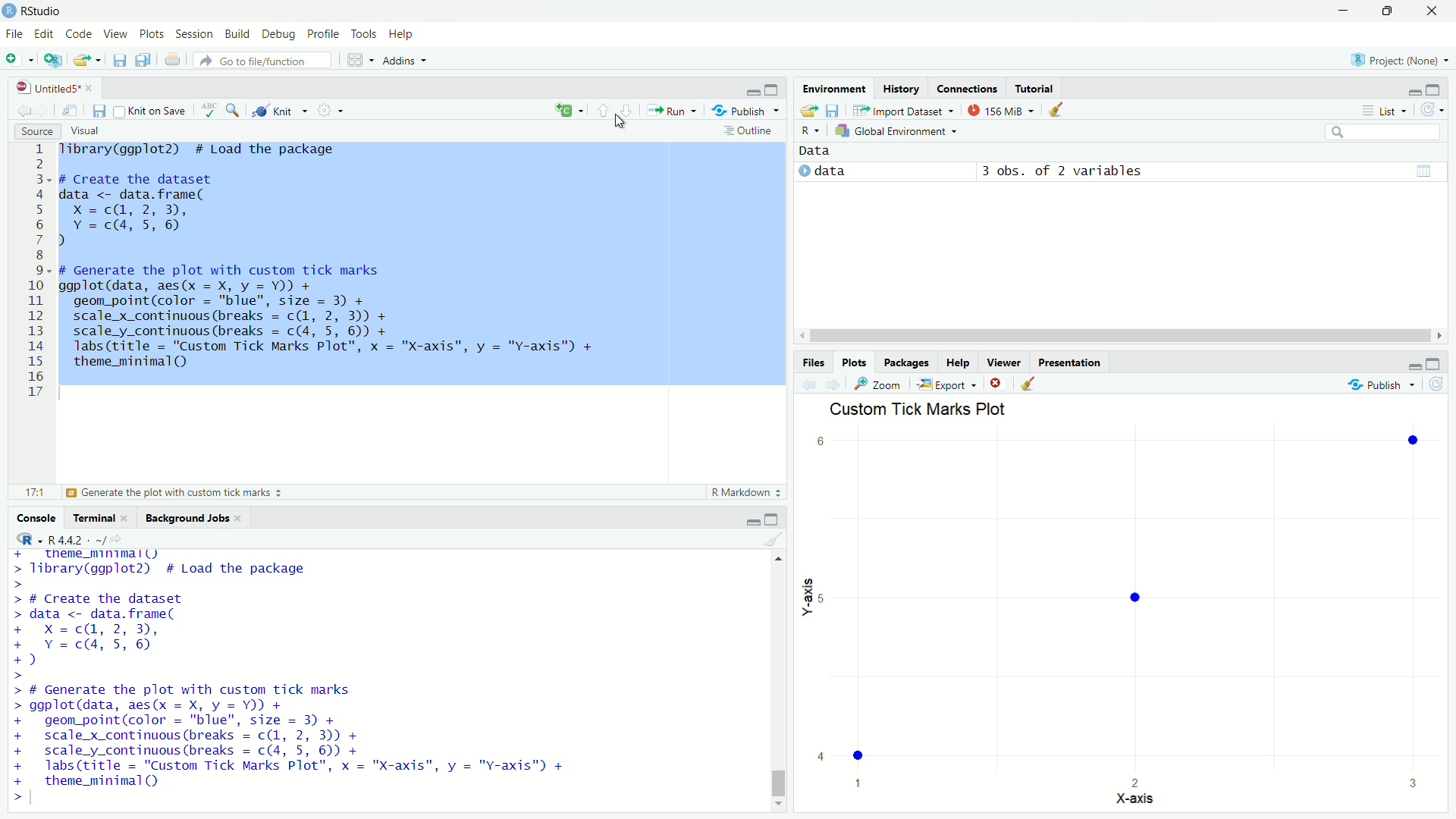 Image resolution: width=1456 pixels, height=819 pixels. I want to click on previous plot, so click(804, 384).